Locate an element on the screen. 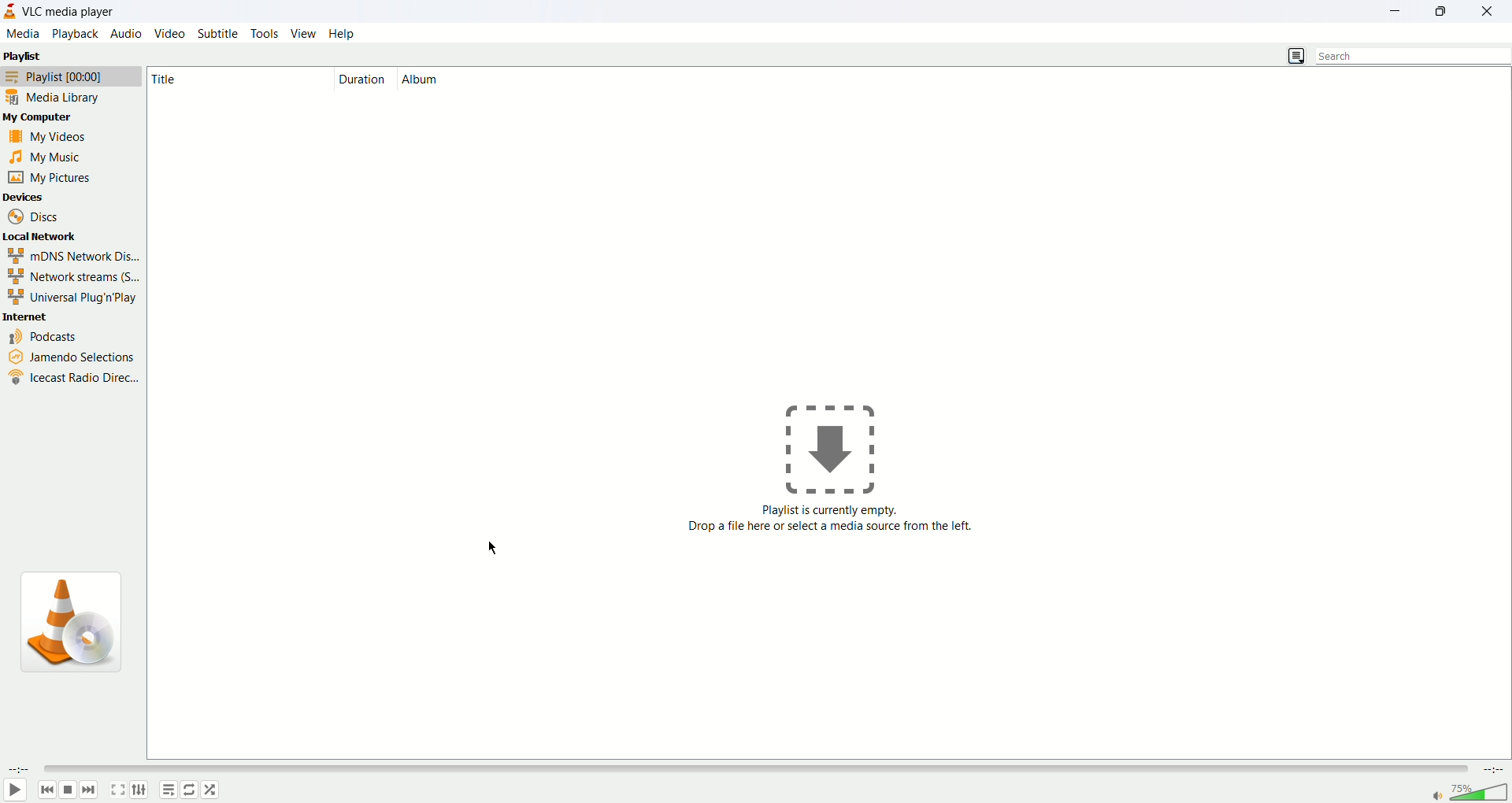 The image size is (1512, 803). tools is located at coordinates (264, 34).